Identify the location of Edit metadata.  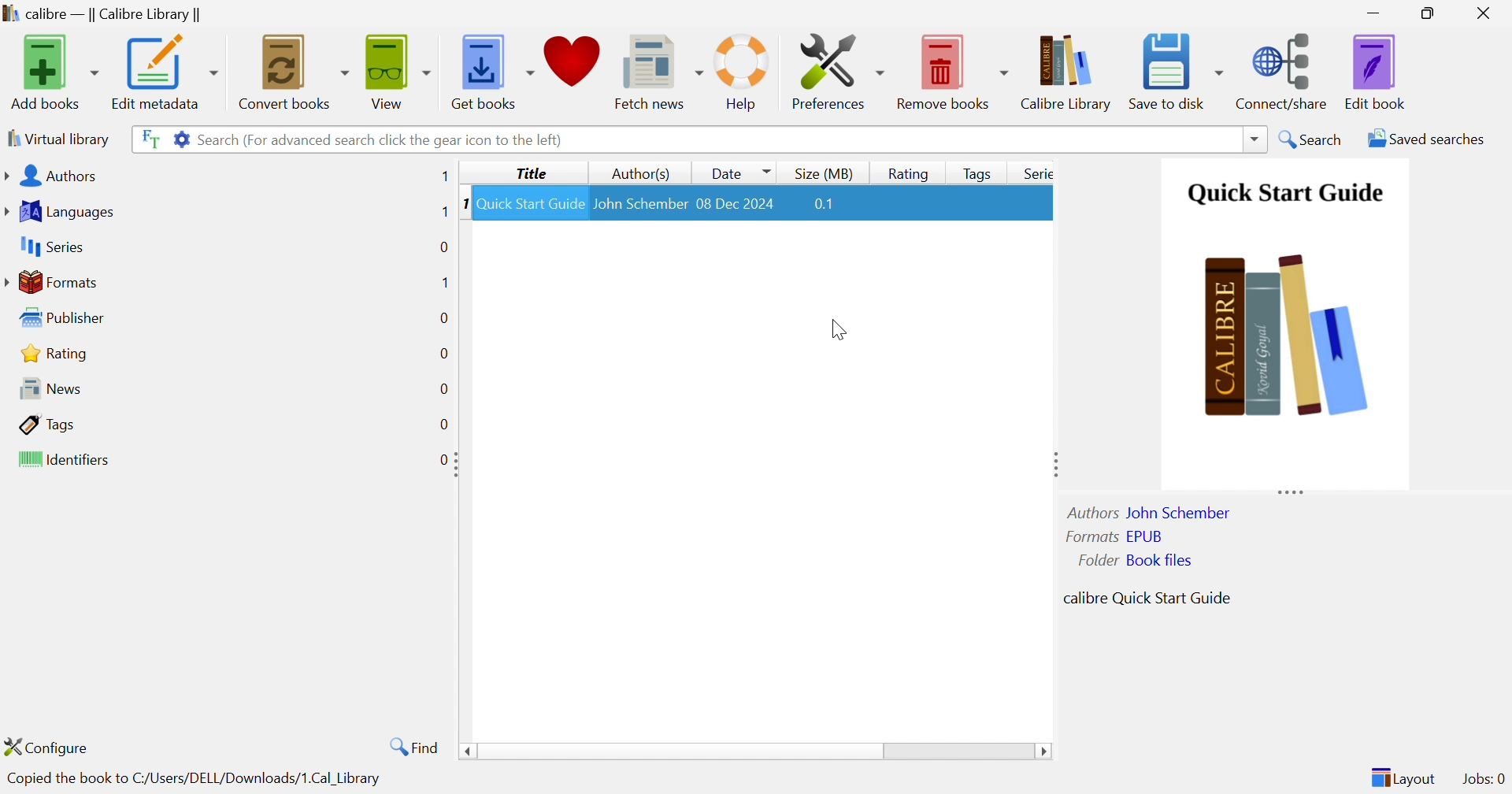
(165, 72).